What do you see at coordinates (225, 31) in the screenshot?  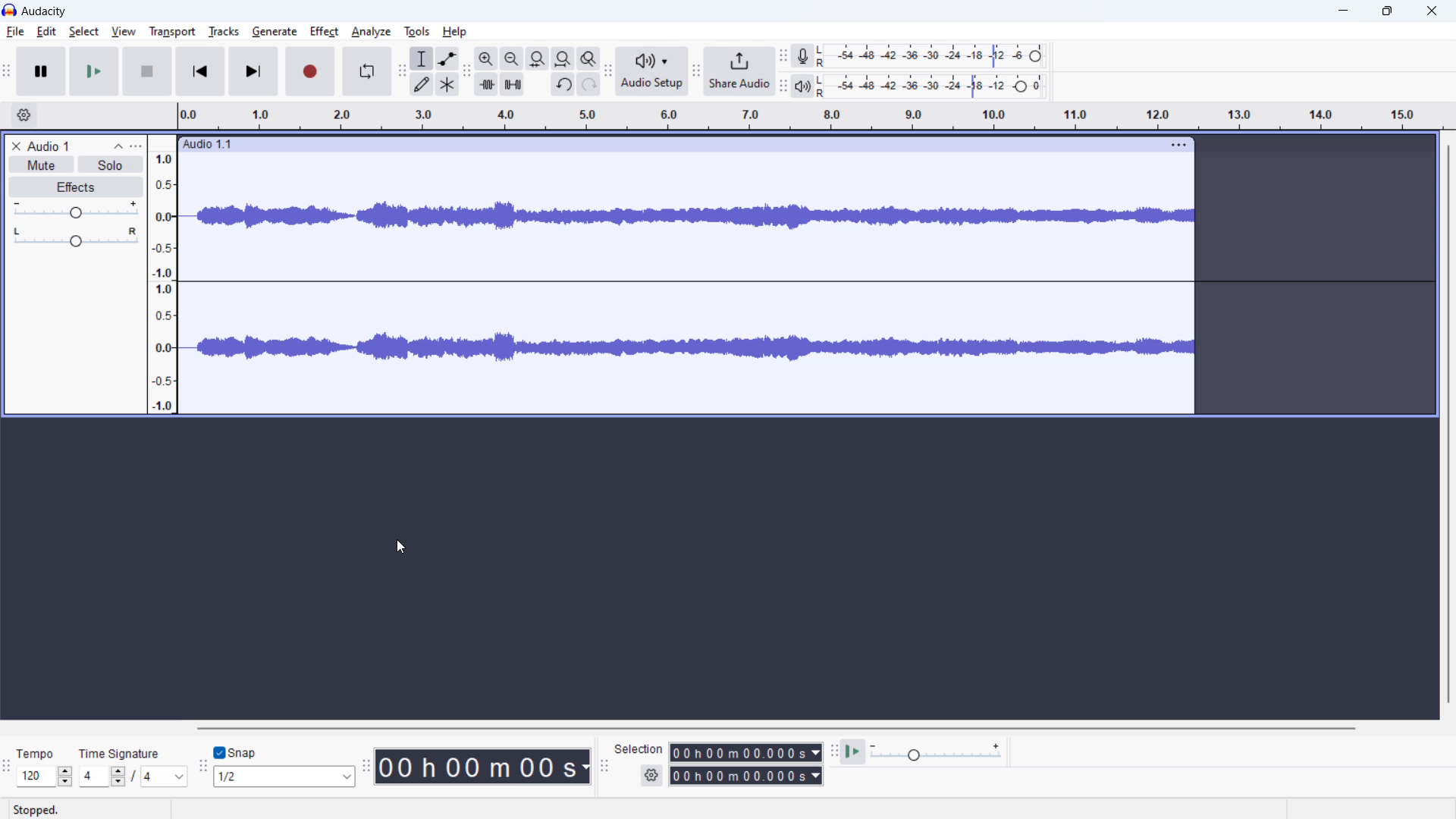 I see `tracks` at bounding box center [225, 31].